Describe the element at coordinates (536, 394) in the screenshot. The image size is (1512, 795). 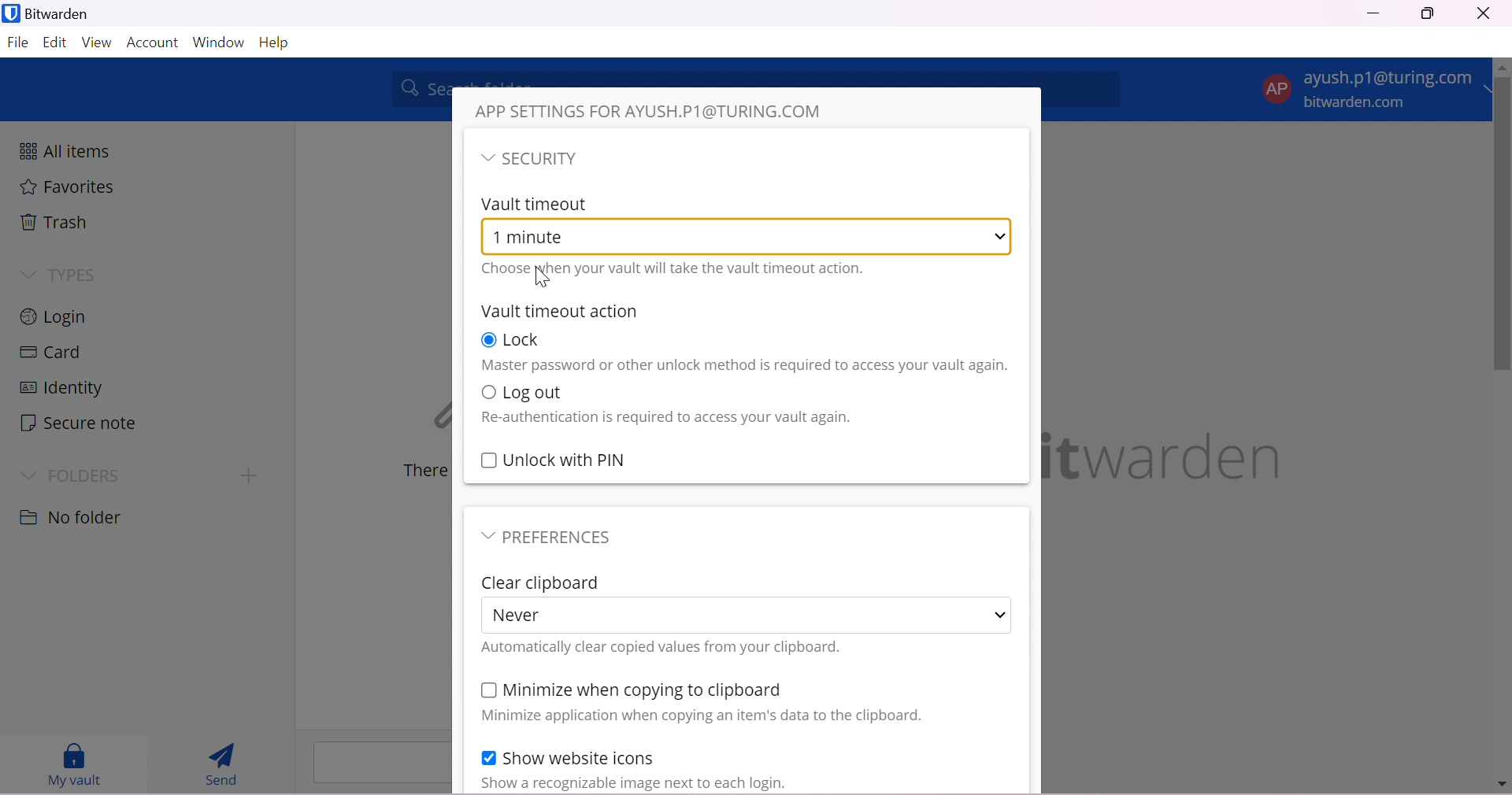
I see `Log out` at that location.